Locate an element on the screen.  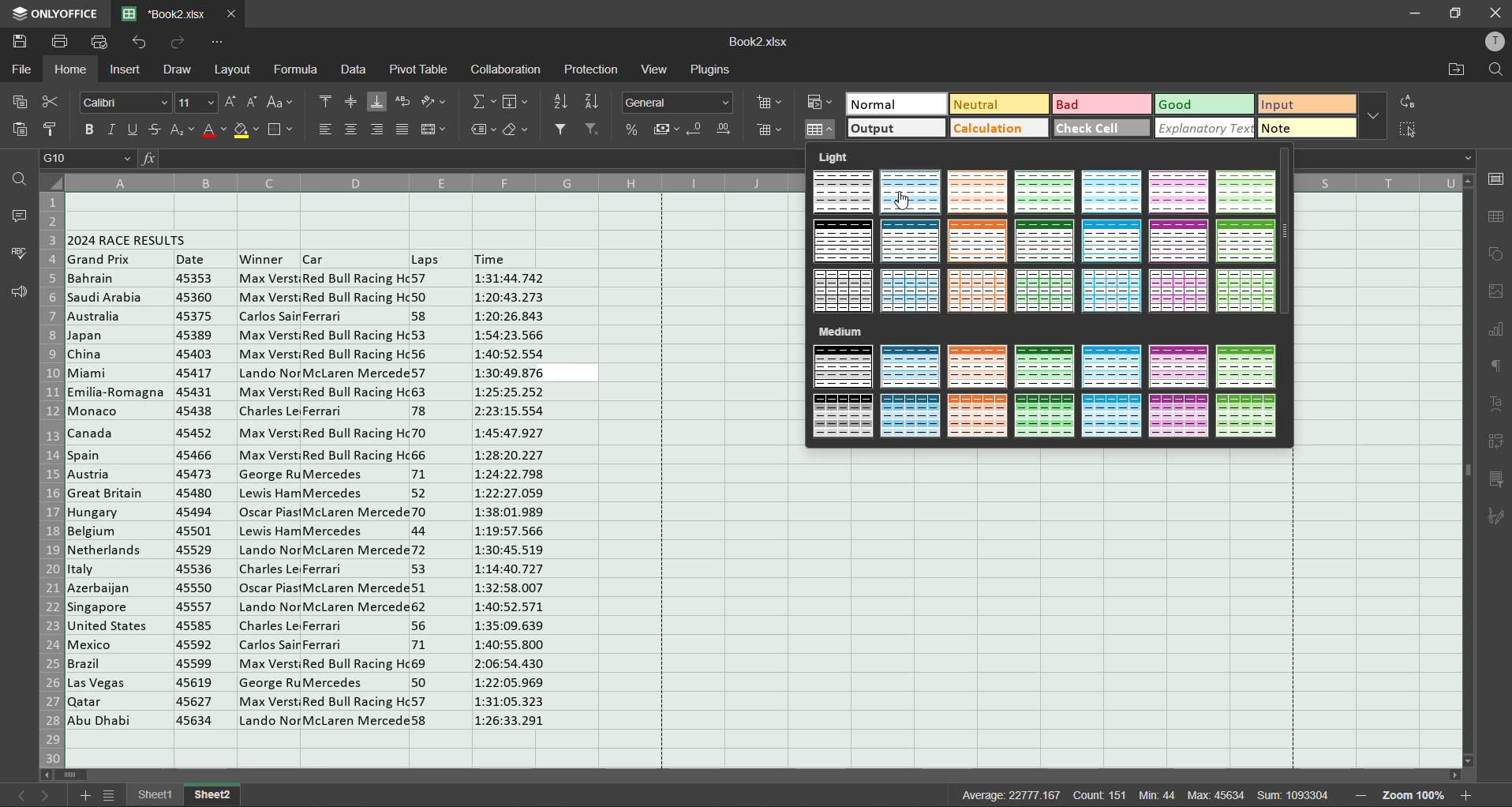
sort ascending is located at coordinates (562, 102).